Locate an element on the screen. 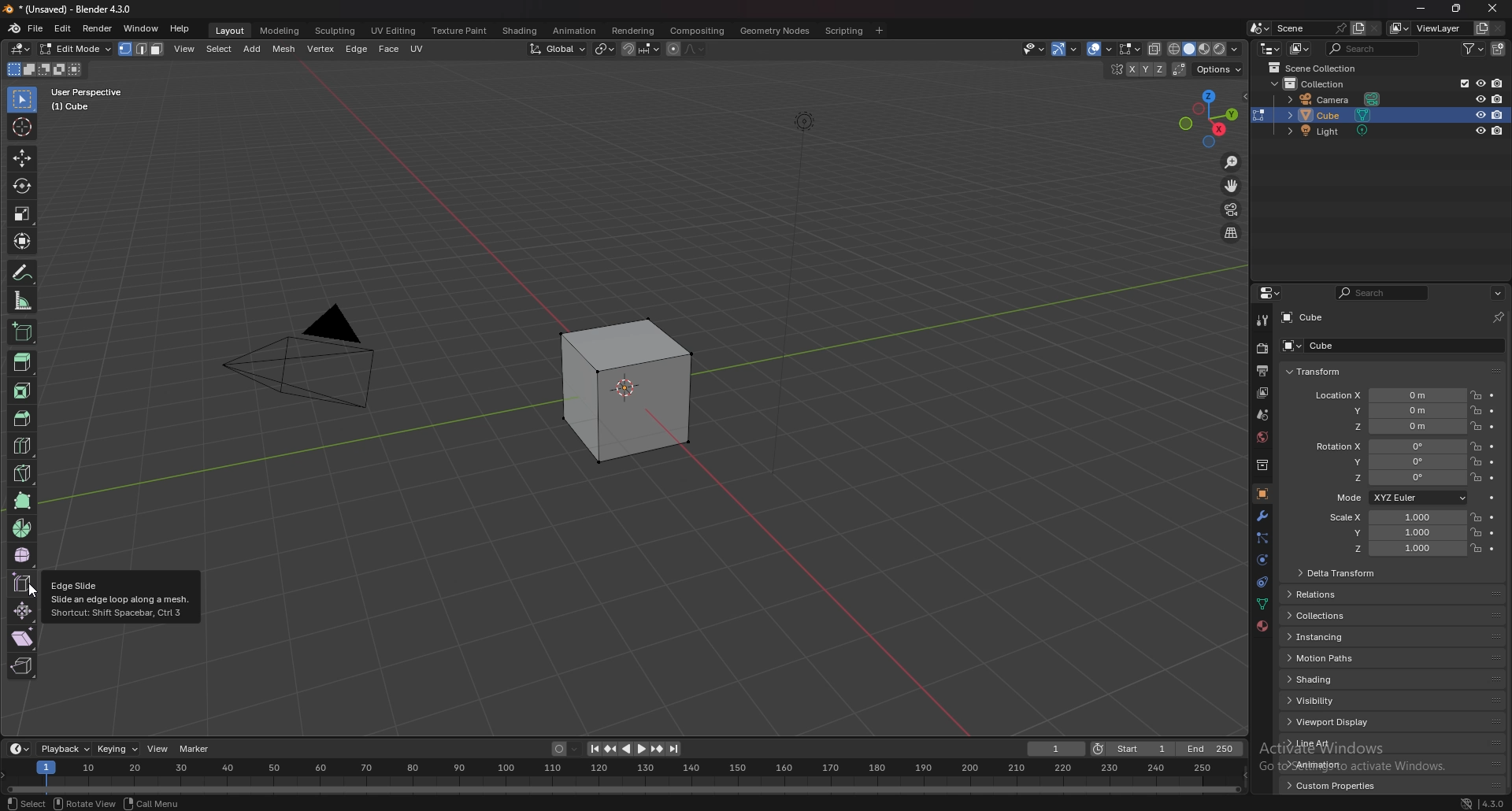  pin is located at coordinates (1496, 317).